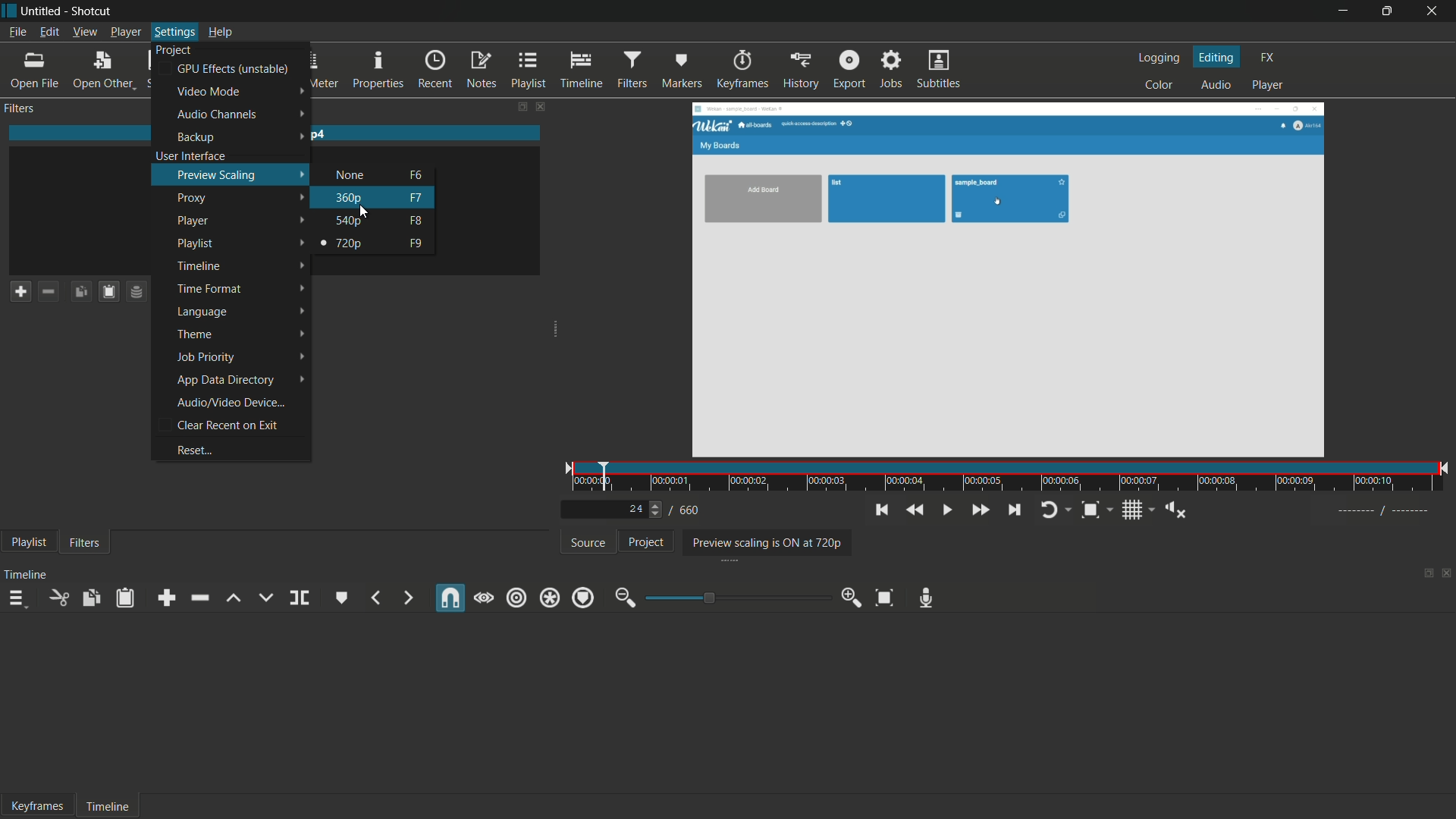  Describe the element at coordinates (93, 597) in the screenshot. I see `copy` at that location.